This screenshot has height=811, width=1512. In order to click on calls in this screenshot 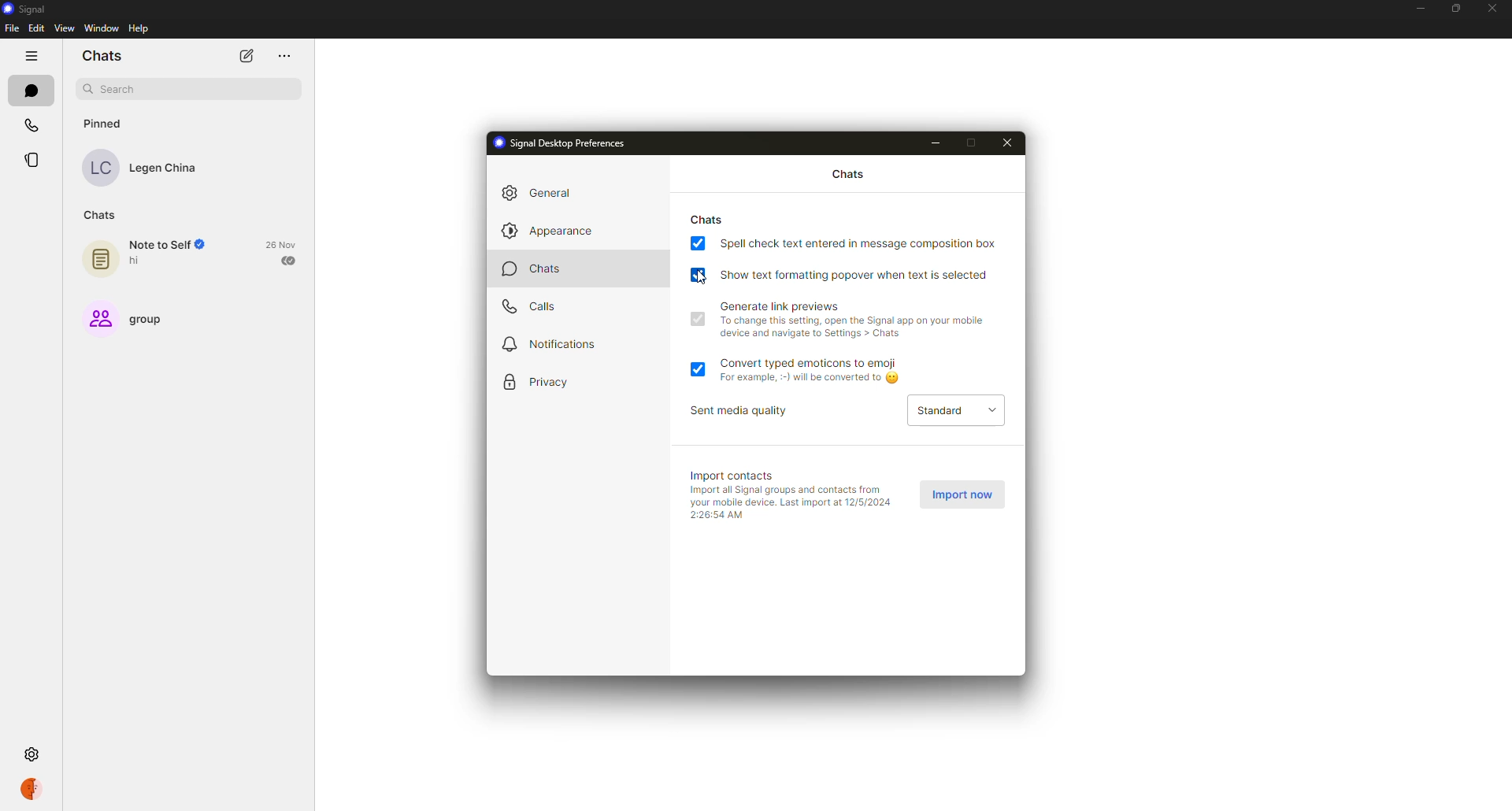, I will do `click(31, 128)`.